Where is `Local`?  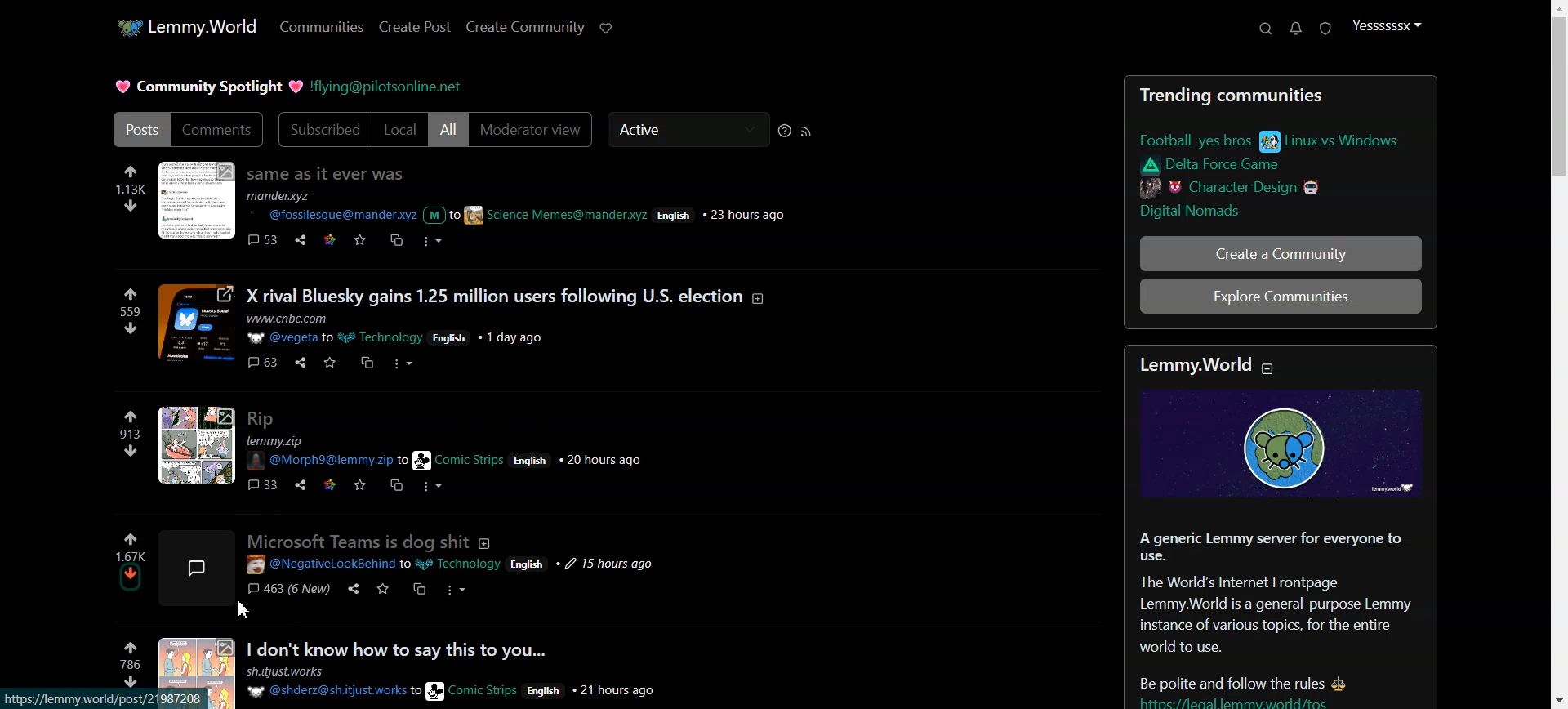 Local is located at coordinates (399, 129).